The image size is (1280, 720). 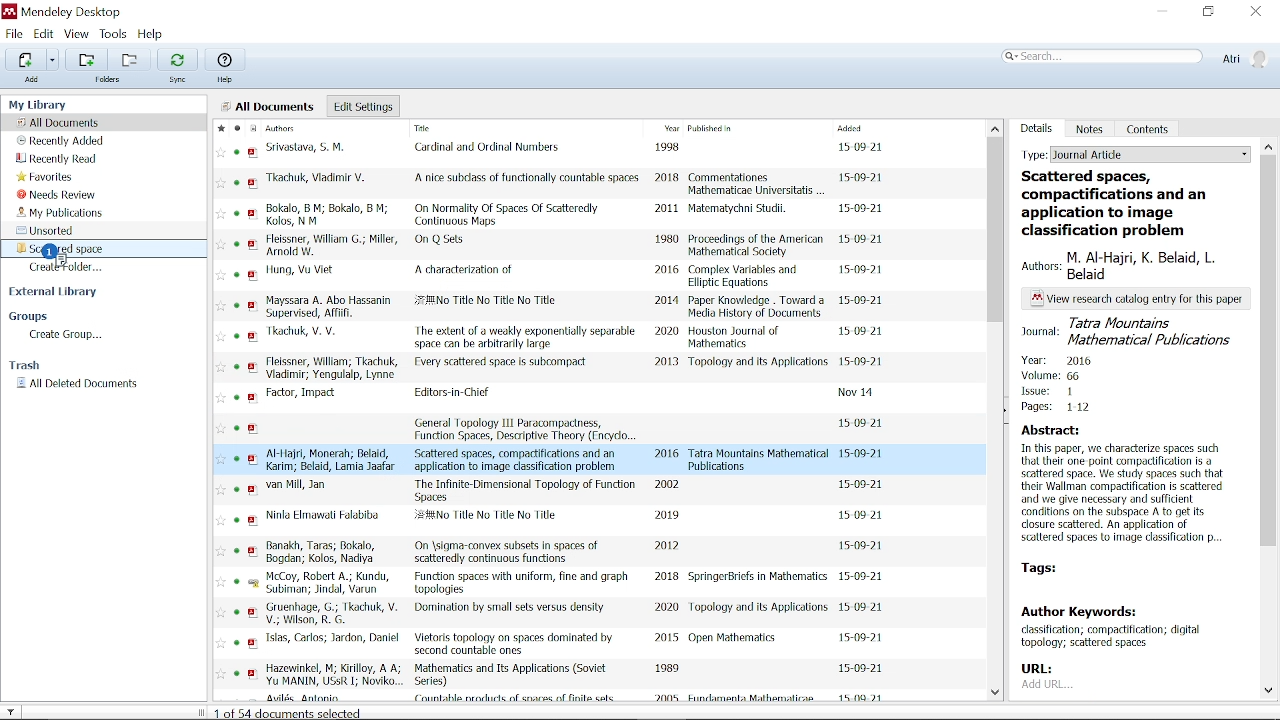 What do you see at coordinates (1149, 128) in the screenshot?
I see `Contents` at bounding box center [1149, 128].